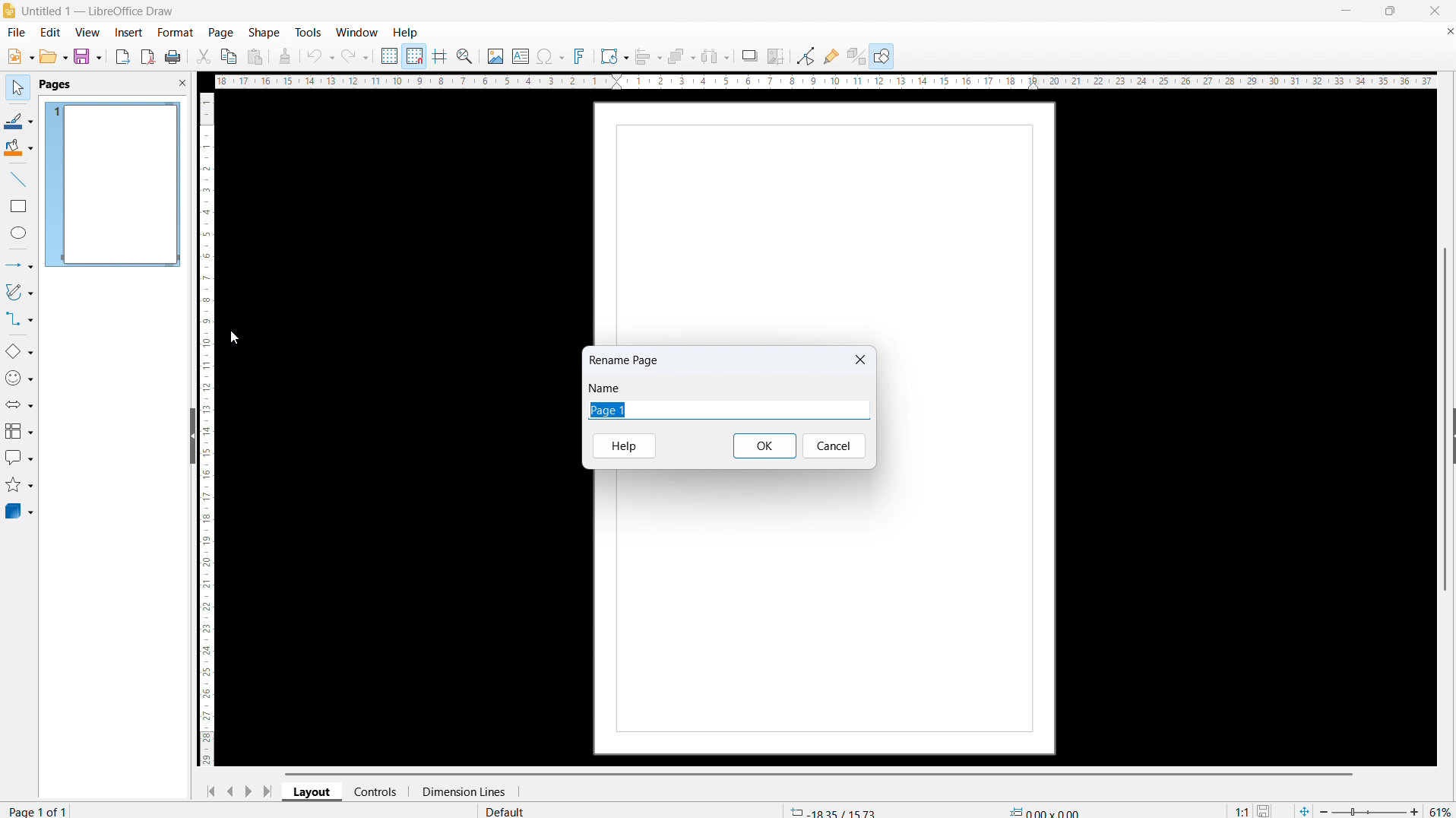 This screenshot has height=818, width=1456. I want to click on tools, so click(307, 32).